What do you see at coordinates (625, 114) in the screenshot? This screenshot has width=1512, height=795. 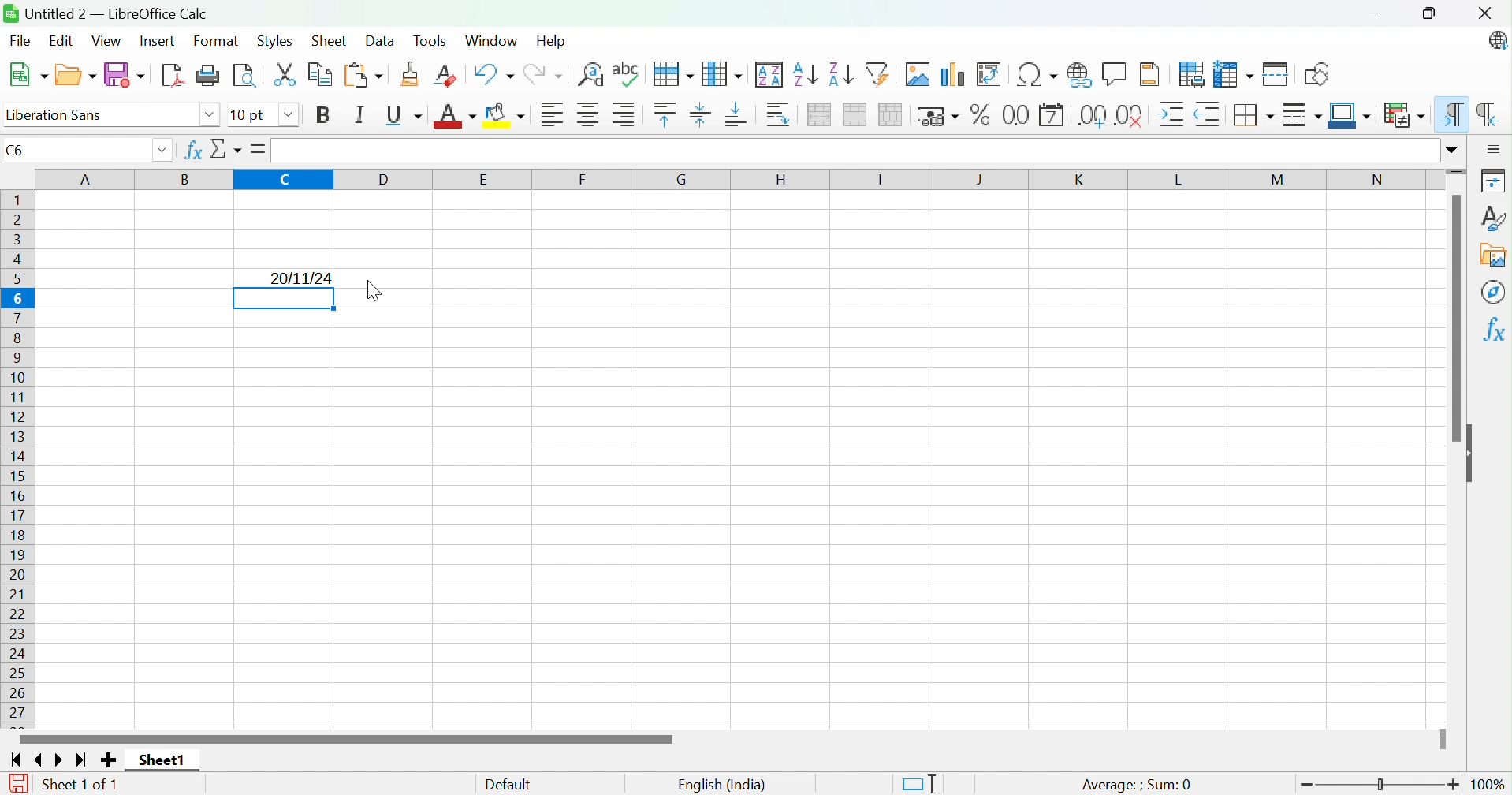 I see `Align right` at bounding box center [625, 114].